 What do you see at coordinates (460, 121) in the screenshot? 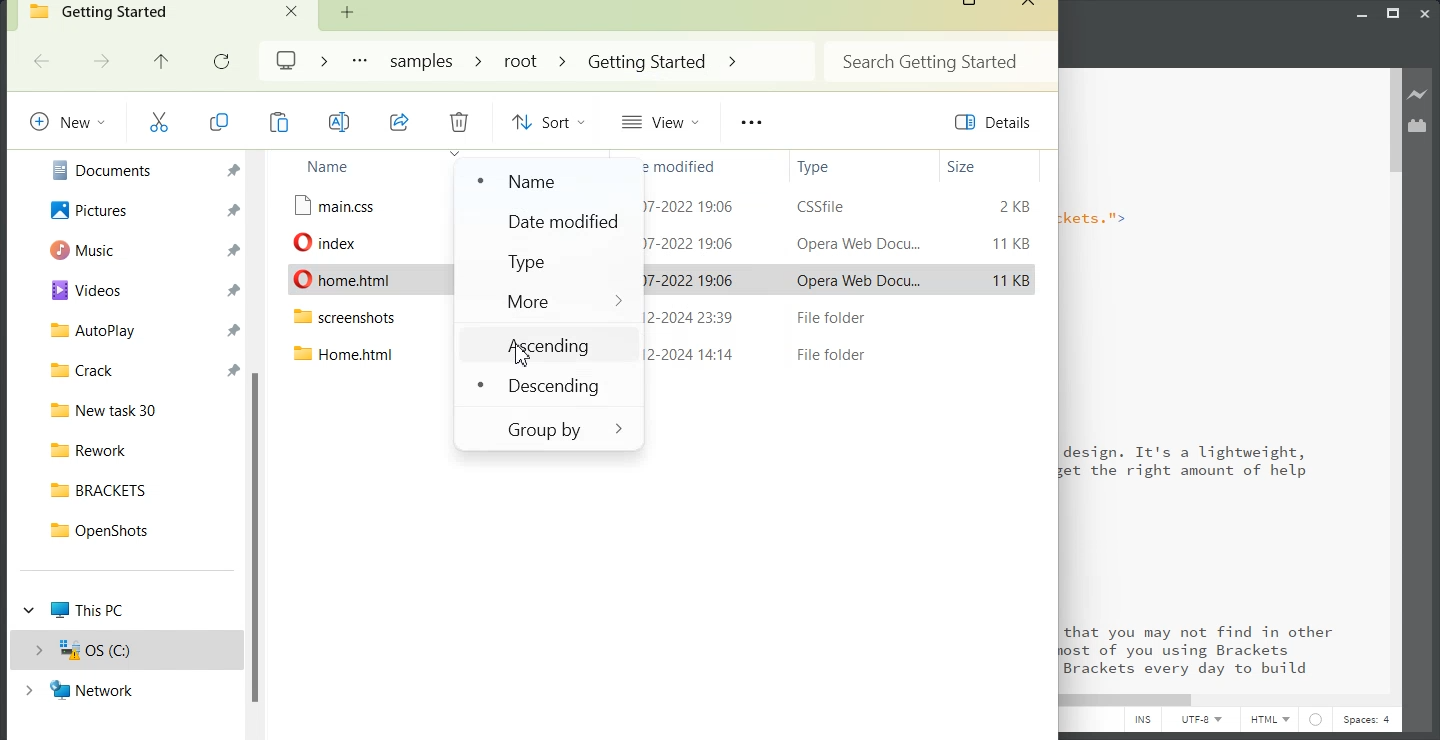
I see `Delete` at bounding box center [460, 121].